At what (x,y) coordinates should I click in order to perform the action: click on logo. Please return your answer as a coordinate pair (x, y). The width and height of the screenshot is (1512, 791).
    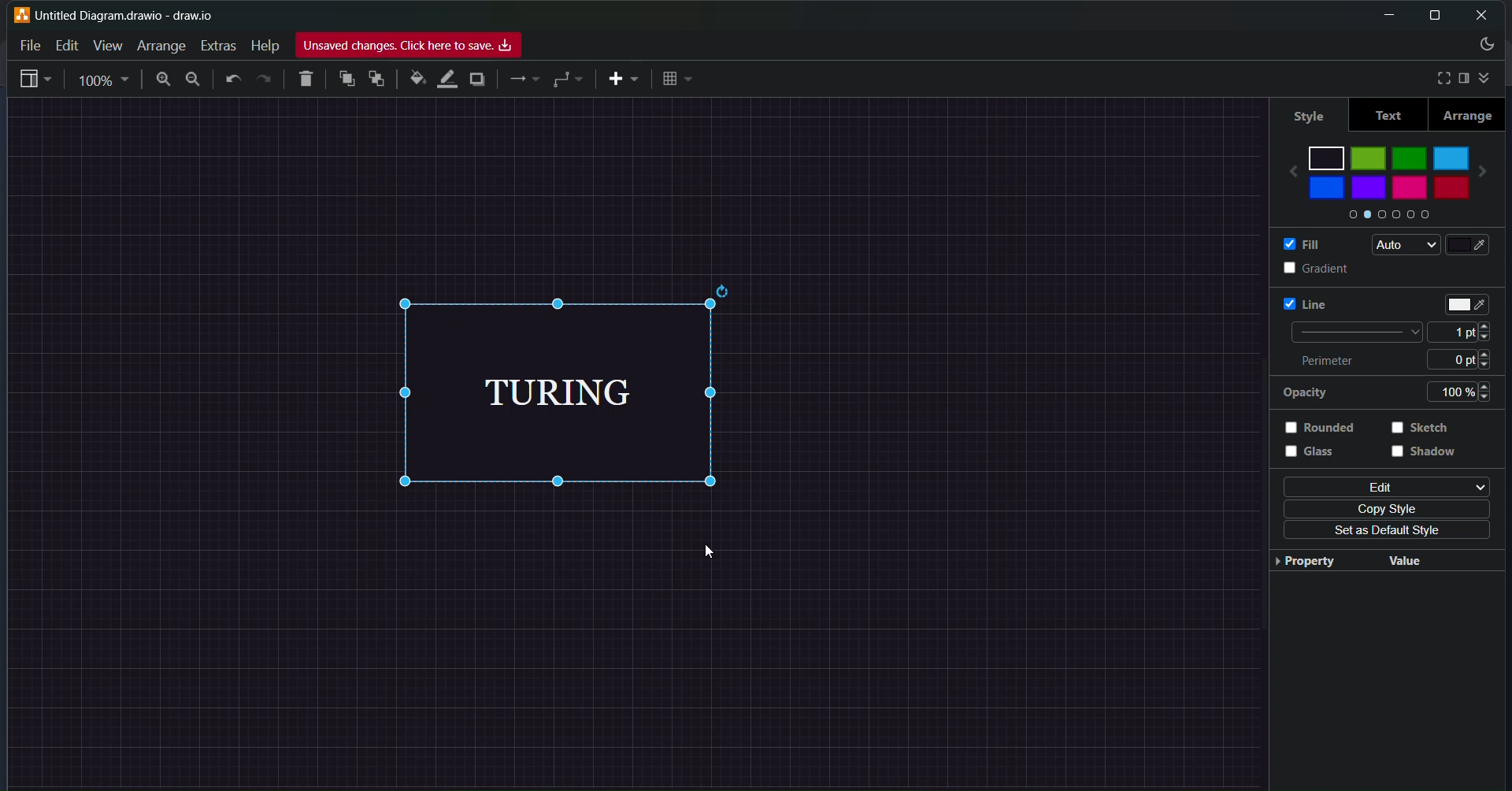
    Looking at the image, I should click on (20, 14).